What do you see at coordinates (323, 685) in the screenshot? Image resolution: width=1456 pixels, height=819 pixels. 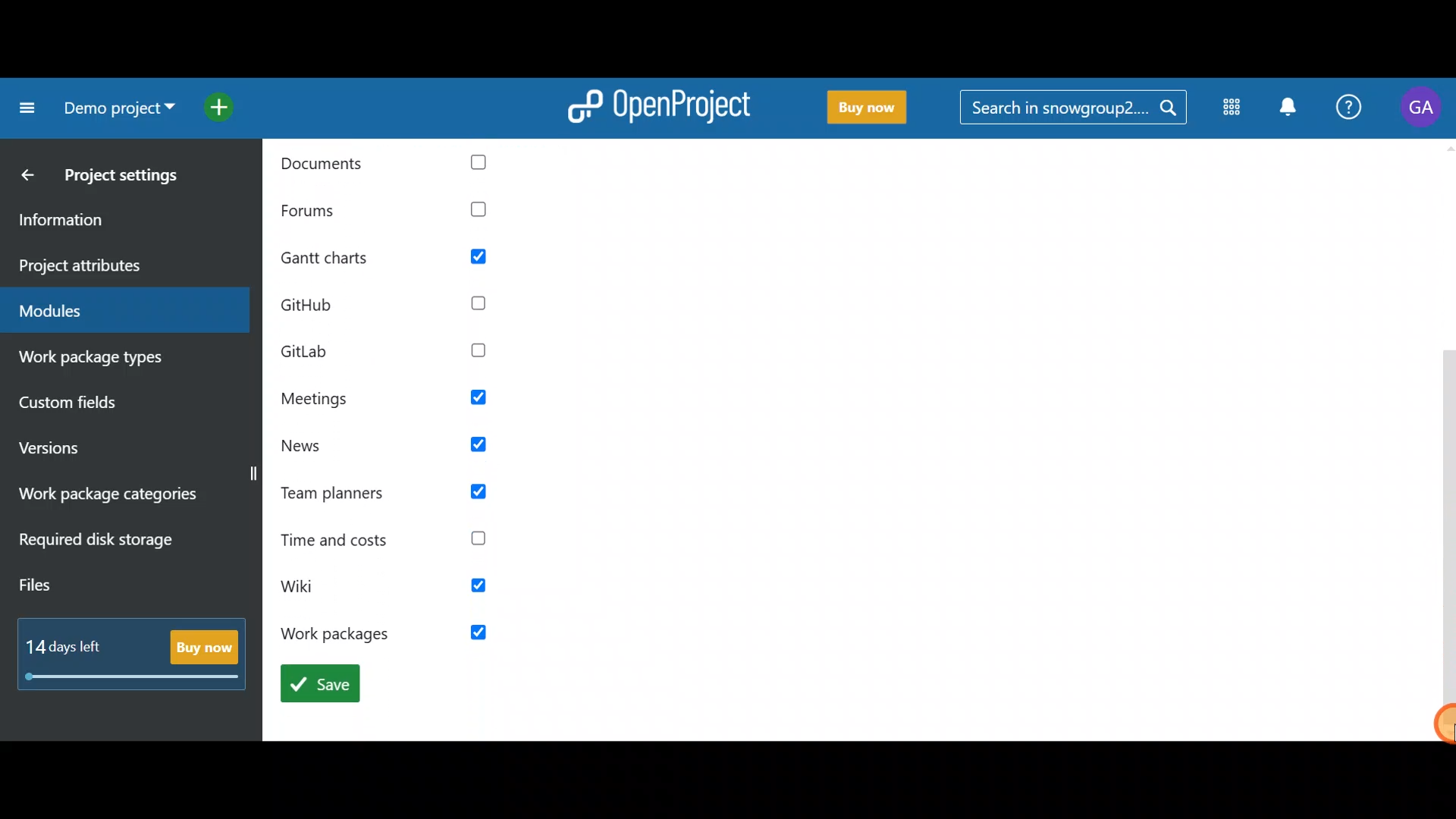 I see `save` at bounding box center [323, 685].